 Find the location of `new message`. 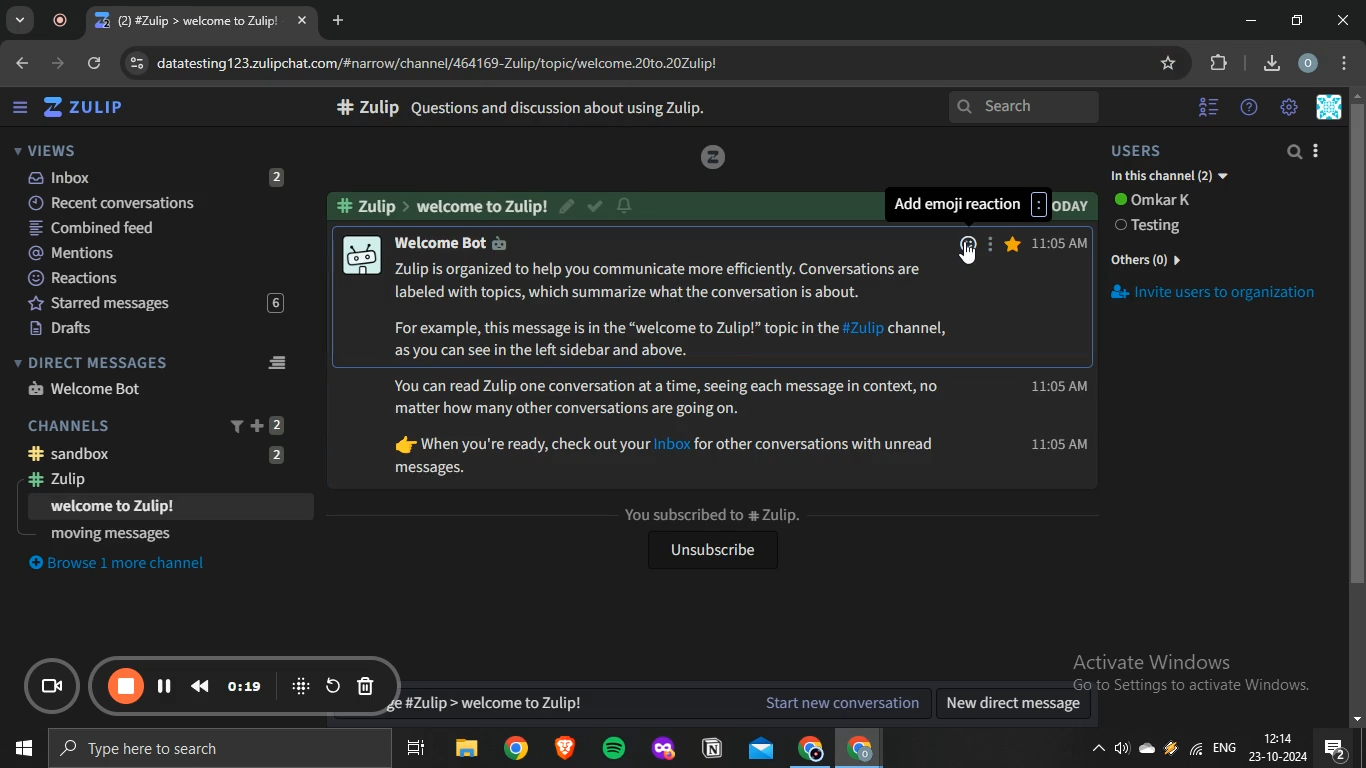

new message is located at coordinates (657, 703).